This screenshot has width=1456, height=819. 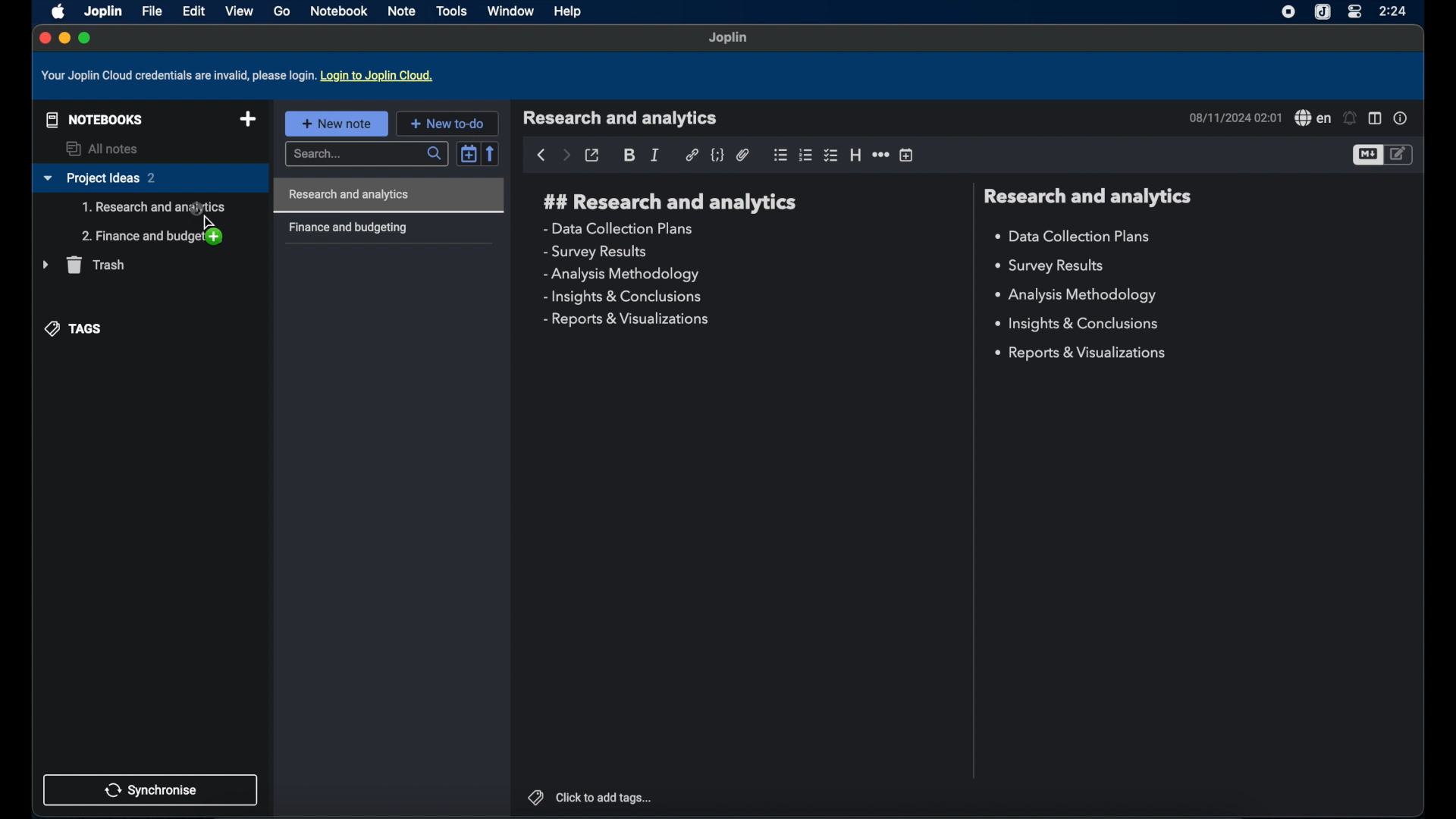 I want to click on window, so click(x=510, y=11).